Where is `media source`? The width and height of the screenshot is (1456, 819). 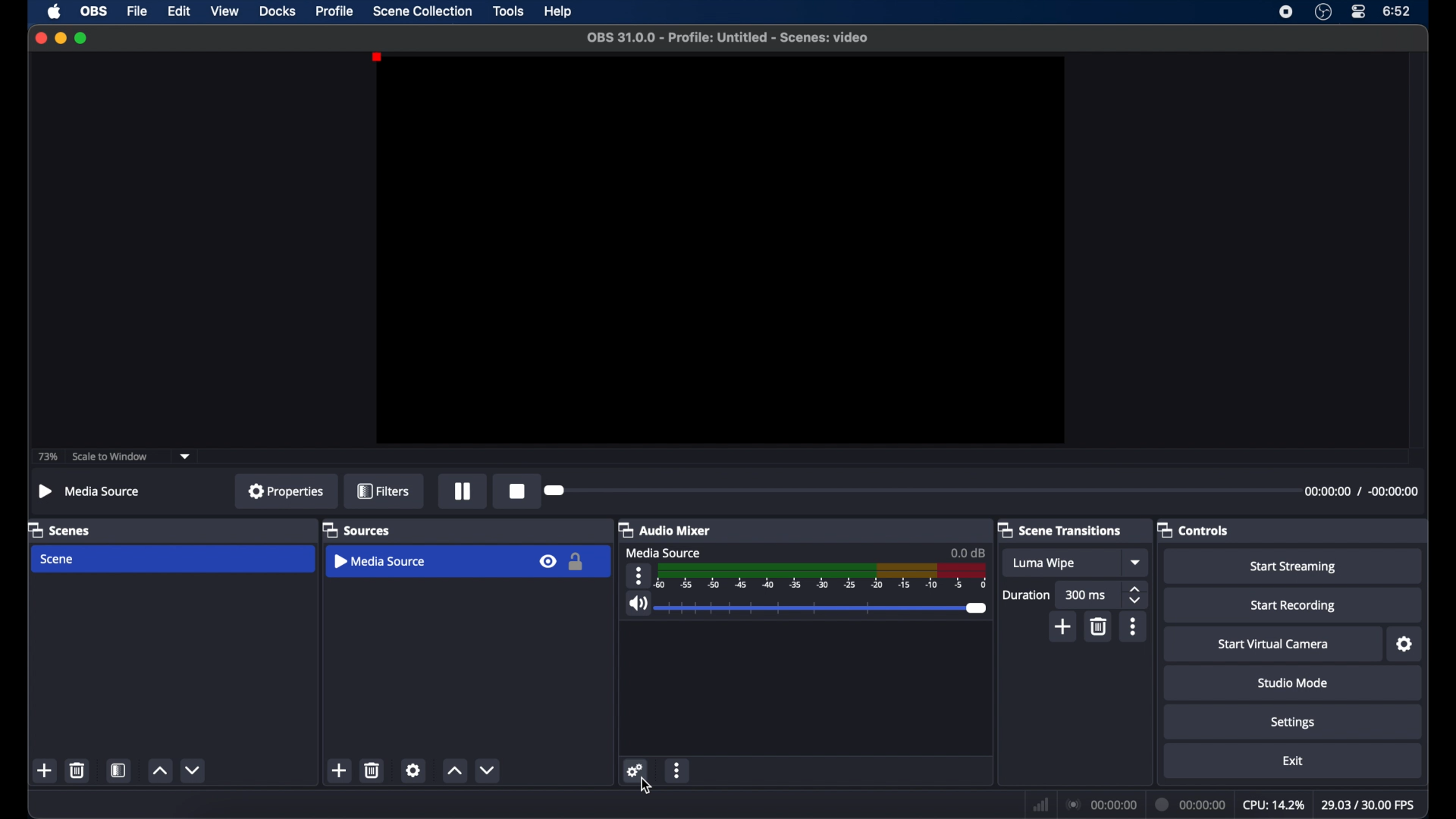 media source is located at coordinates (381, 562).